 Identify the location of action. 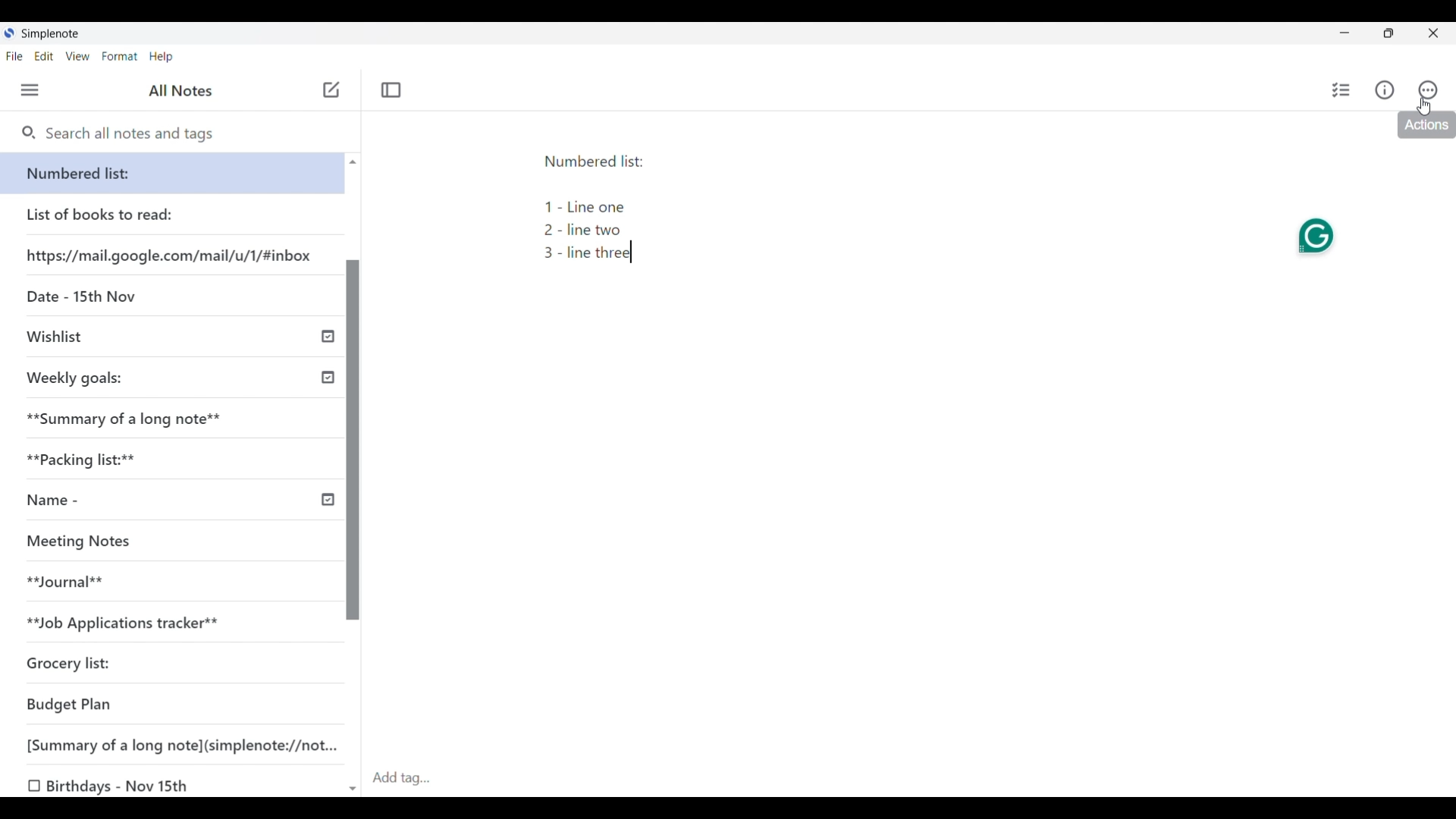
(1421, 126).